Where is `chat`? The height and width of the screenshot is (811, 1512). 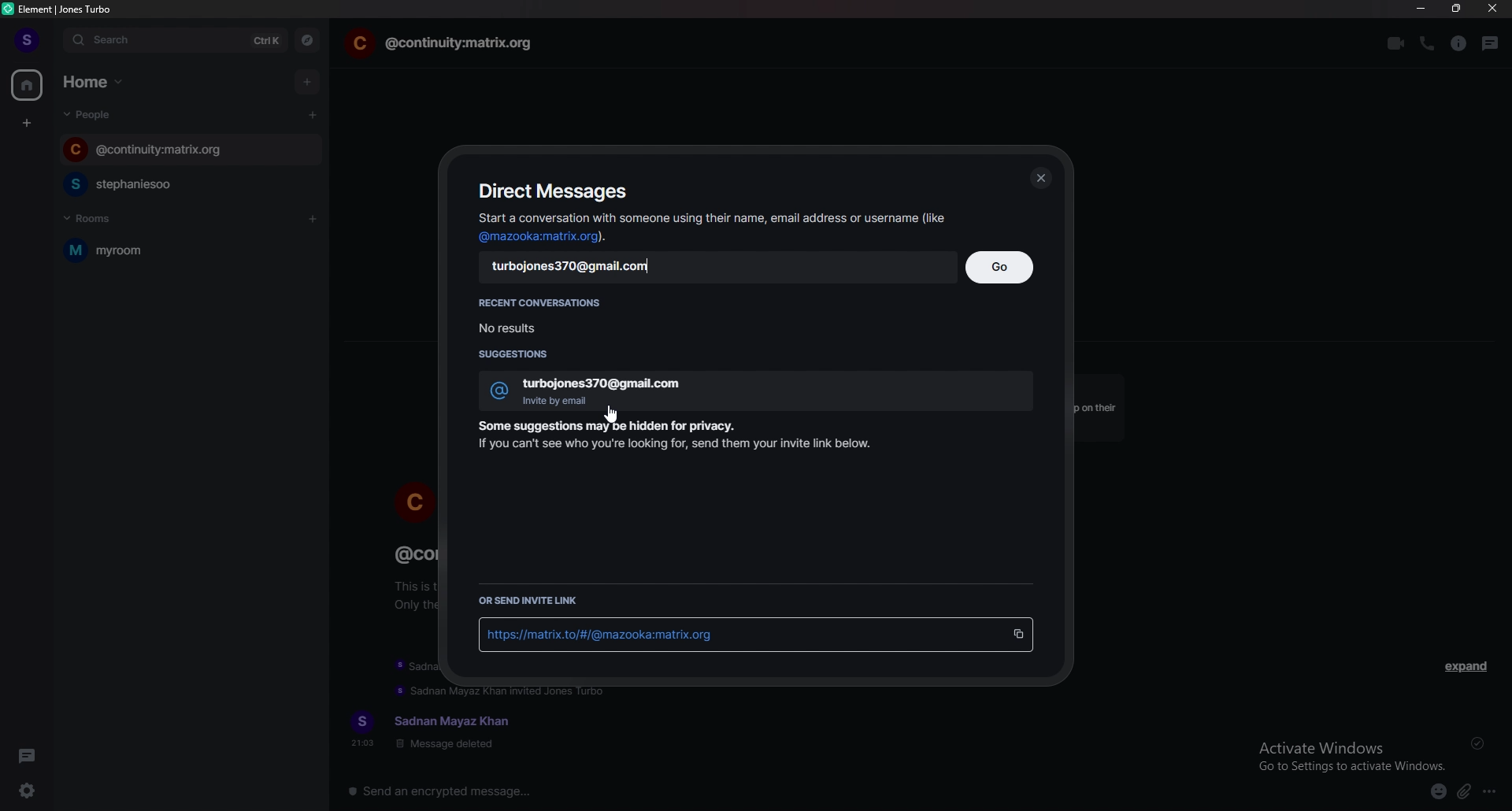
chat is located at coordinates (441, 44).